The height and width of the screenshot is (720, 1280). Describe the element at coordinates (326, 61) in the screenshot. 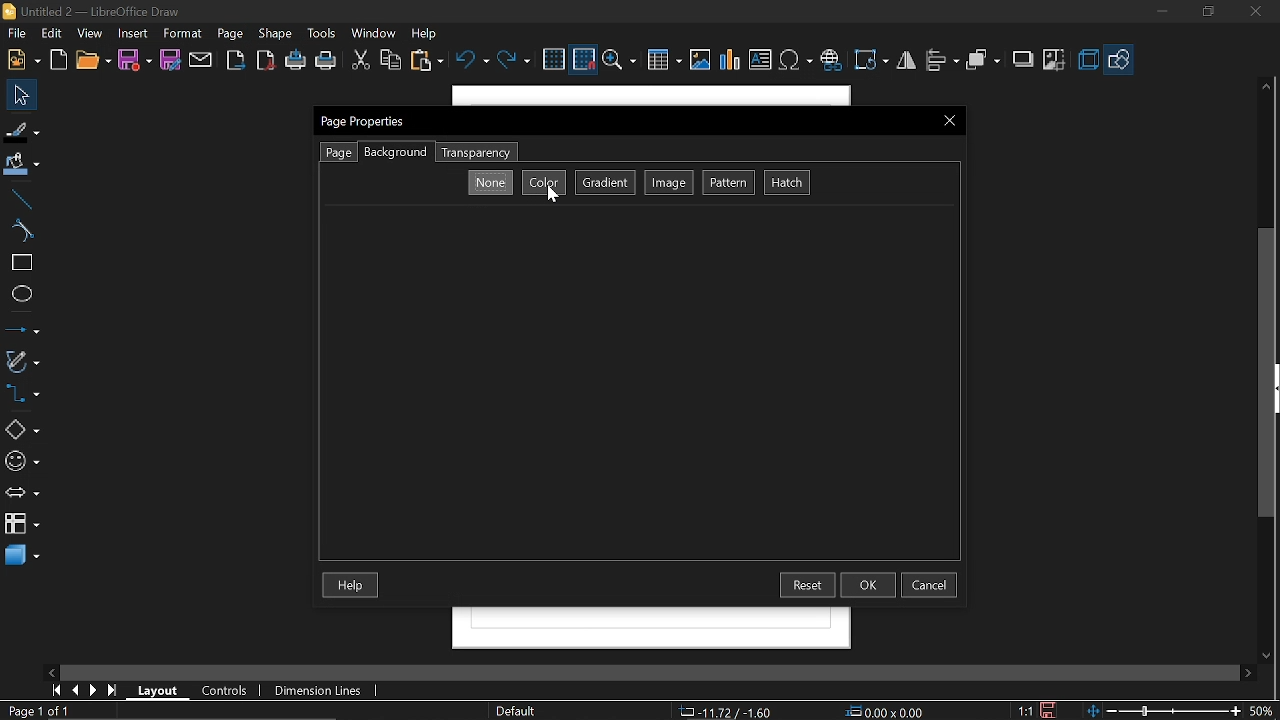

I see `Print` at that location.